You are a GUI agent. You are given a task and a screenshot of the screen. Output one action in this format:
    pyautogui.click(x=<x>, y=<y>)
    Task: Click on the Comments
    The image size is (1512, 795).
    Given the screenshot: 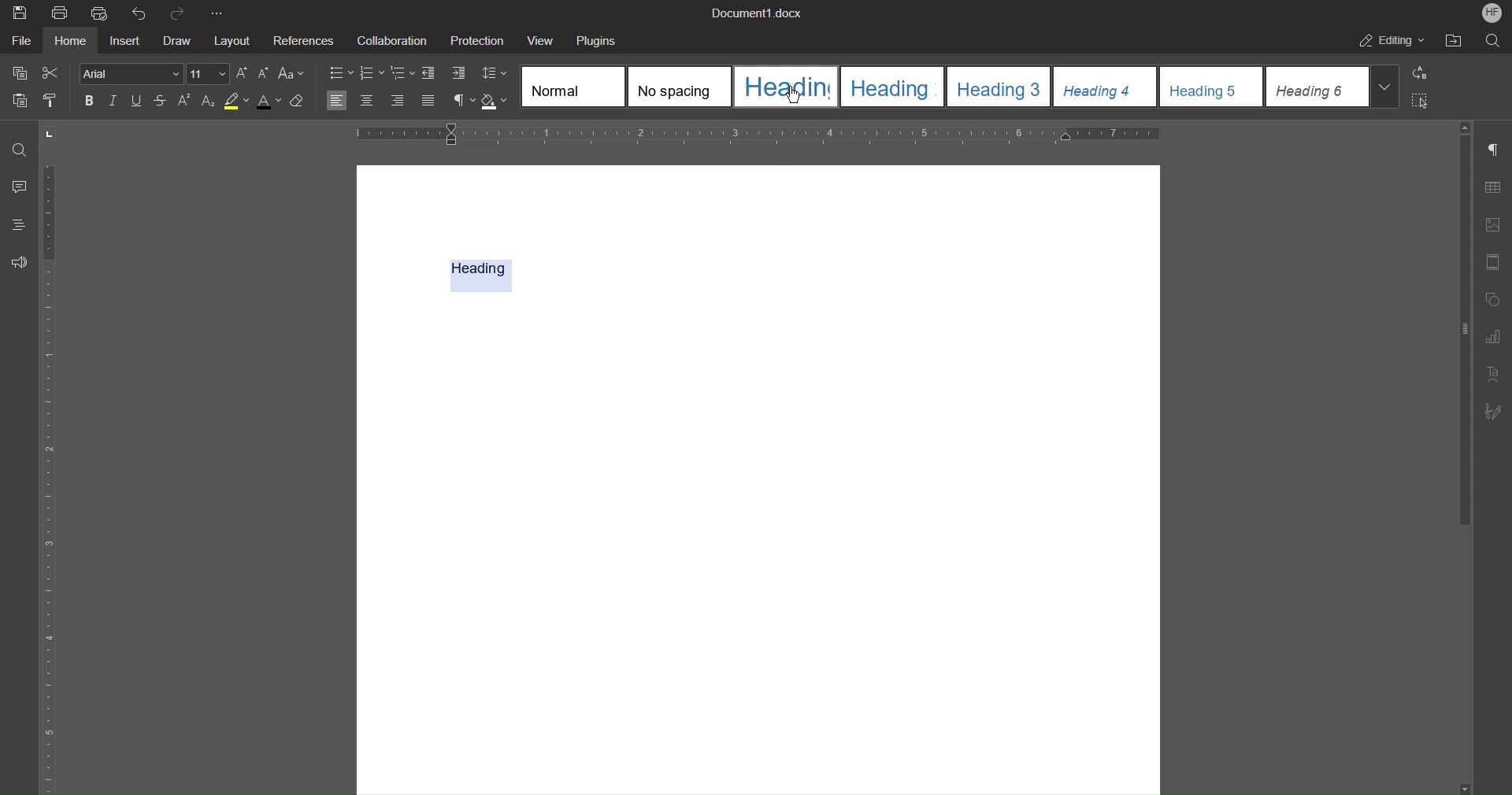 What is the action you would take?
    pyautogui.click(x=15, y=188)
    